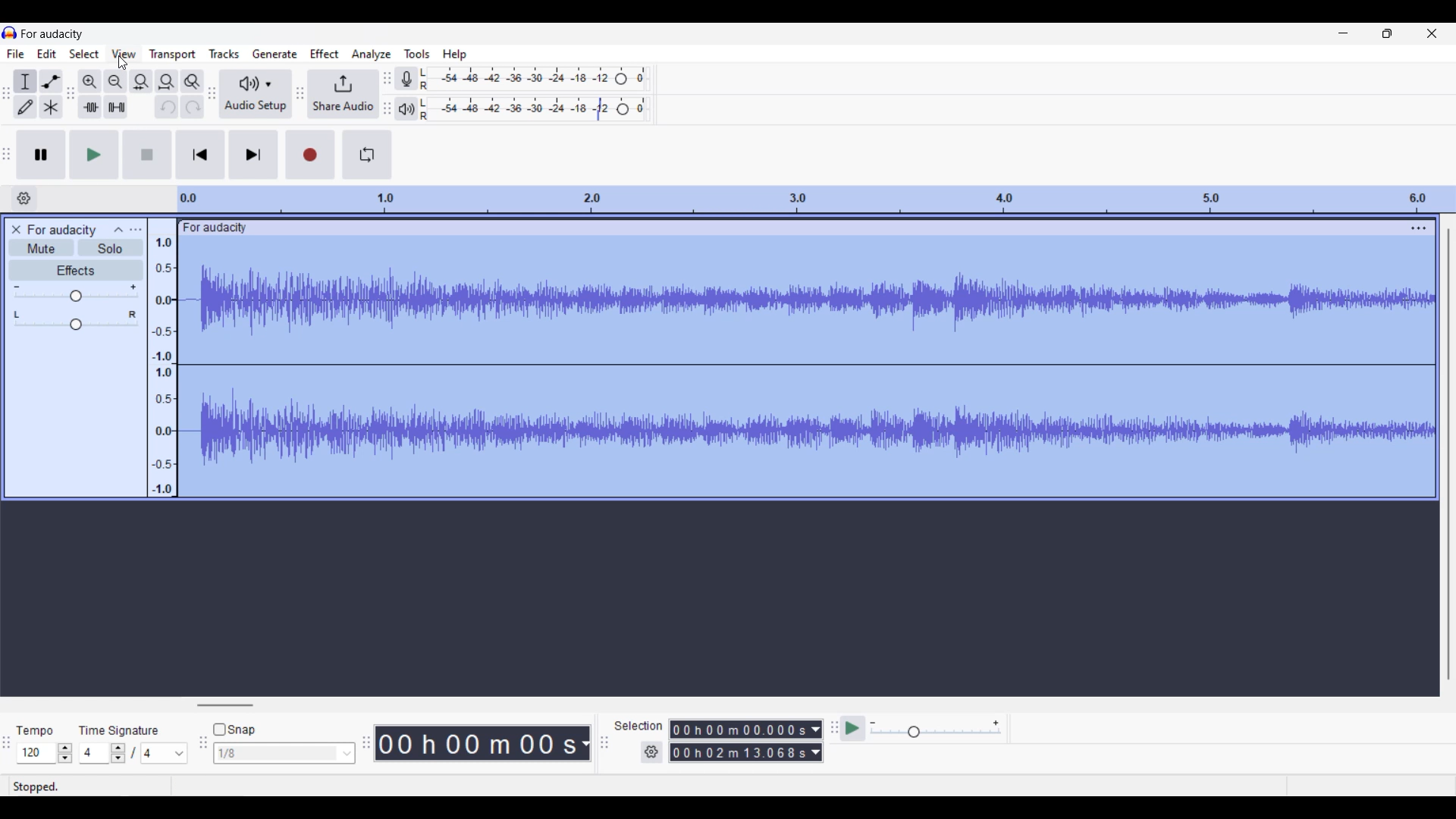  Describe the element at coordinates (193, 106) in the screenshot. I see `Redo` at that location.